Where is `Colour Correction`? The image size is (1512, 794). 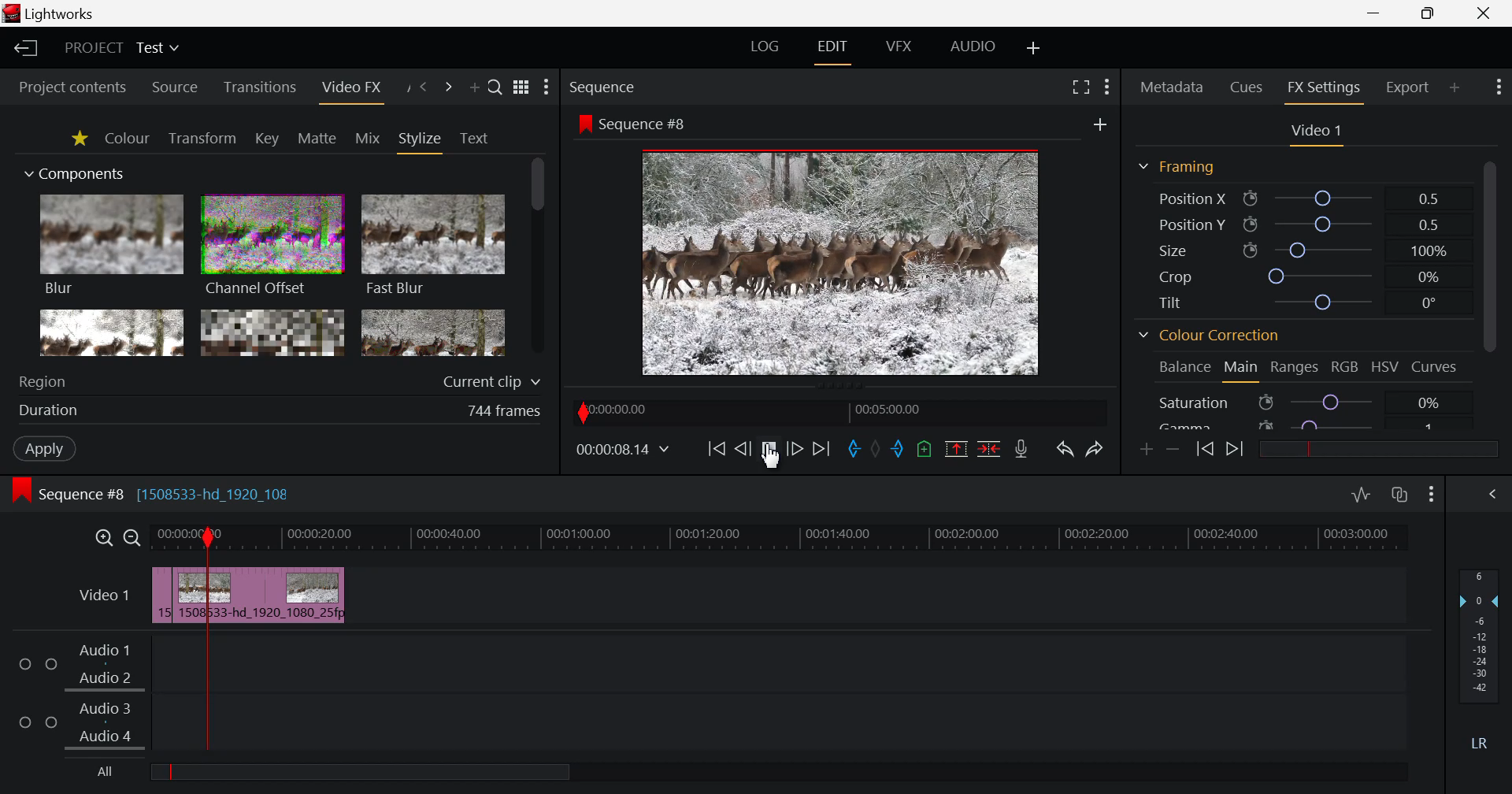 Colour Correction is located at coordinates (1209, 336).